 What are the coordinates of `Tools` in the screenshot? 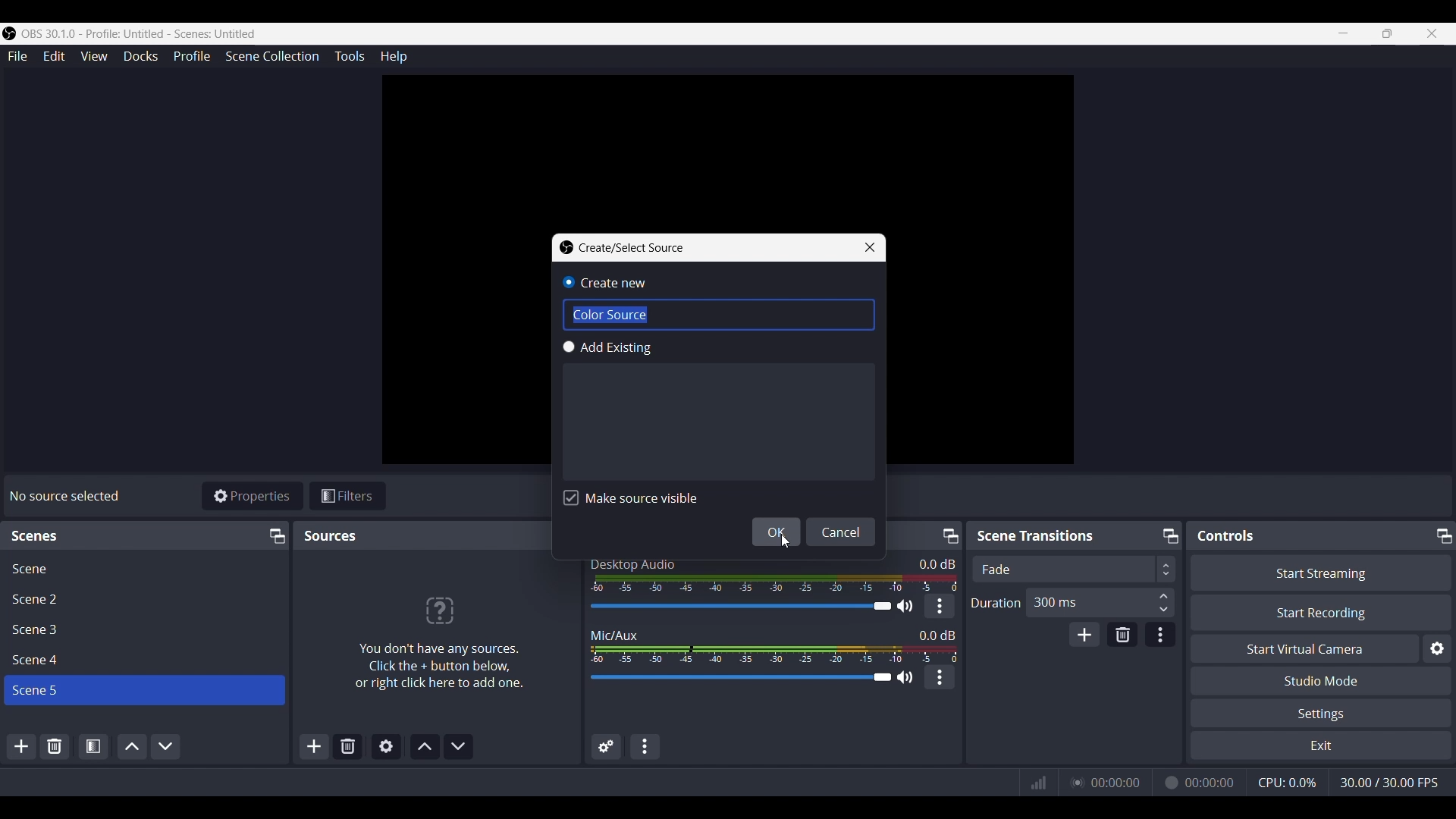 It's located at (349, 56).